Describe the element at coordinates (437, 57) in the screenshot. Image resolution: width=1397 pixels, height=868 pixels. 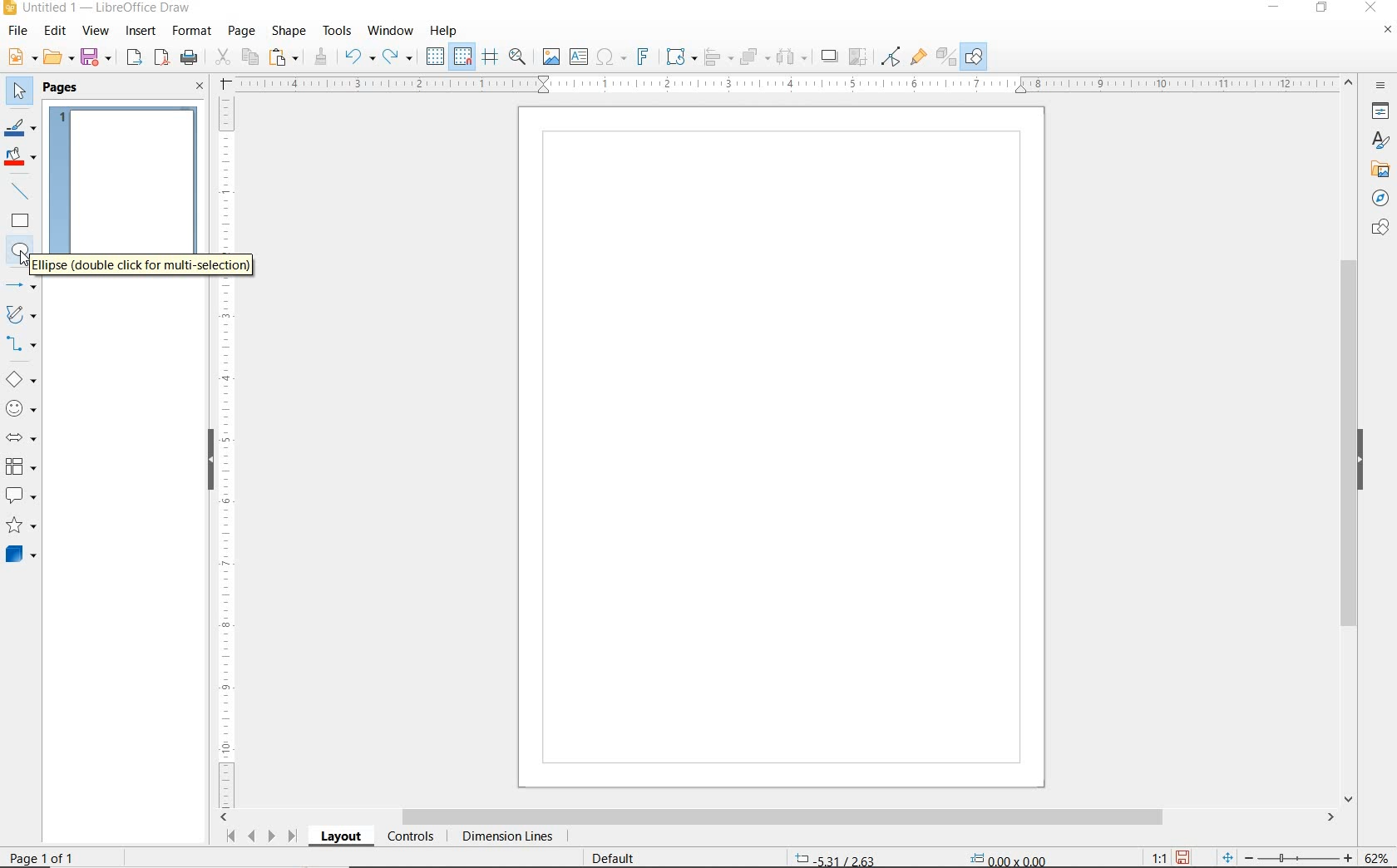
I see `DISPLAY GRID` at that location.